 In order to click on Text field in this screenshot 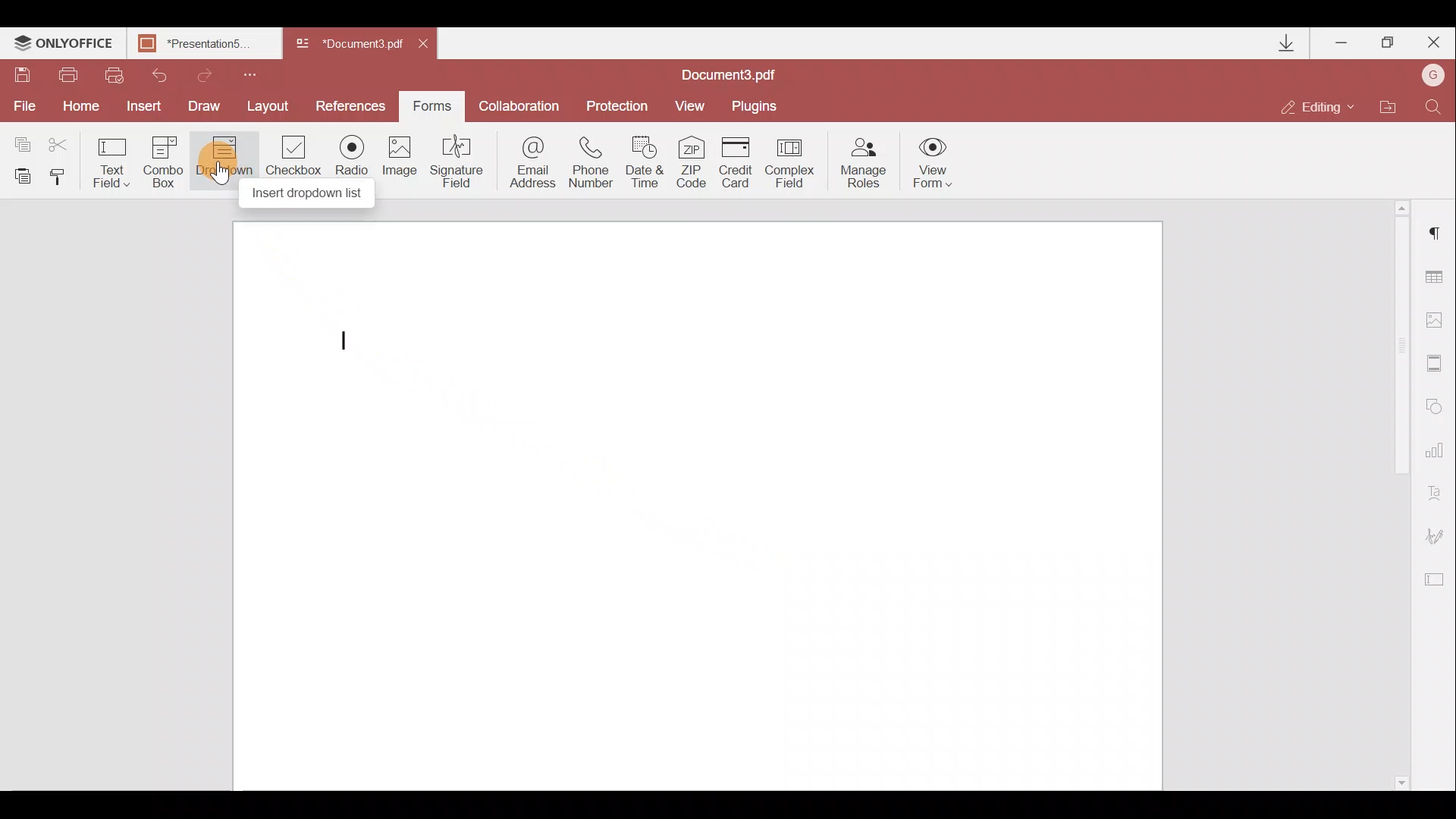, I will do `click(109, 162)`.